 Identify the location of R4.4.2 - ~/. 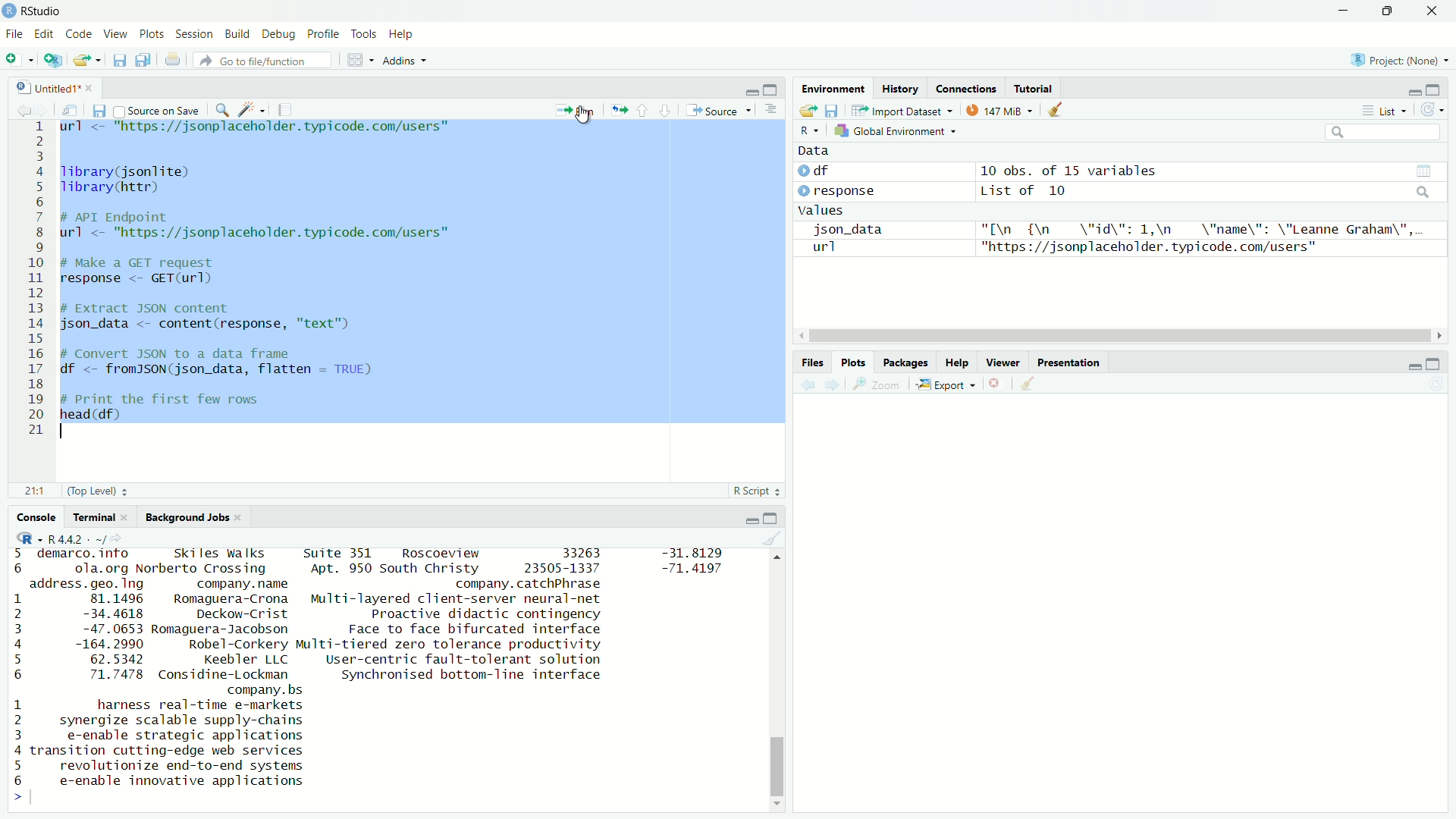
(89, 539).